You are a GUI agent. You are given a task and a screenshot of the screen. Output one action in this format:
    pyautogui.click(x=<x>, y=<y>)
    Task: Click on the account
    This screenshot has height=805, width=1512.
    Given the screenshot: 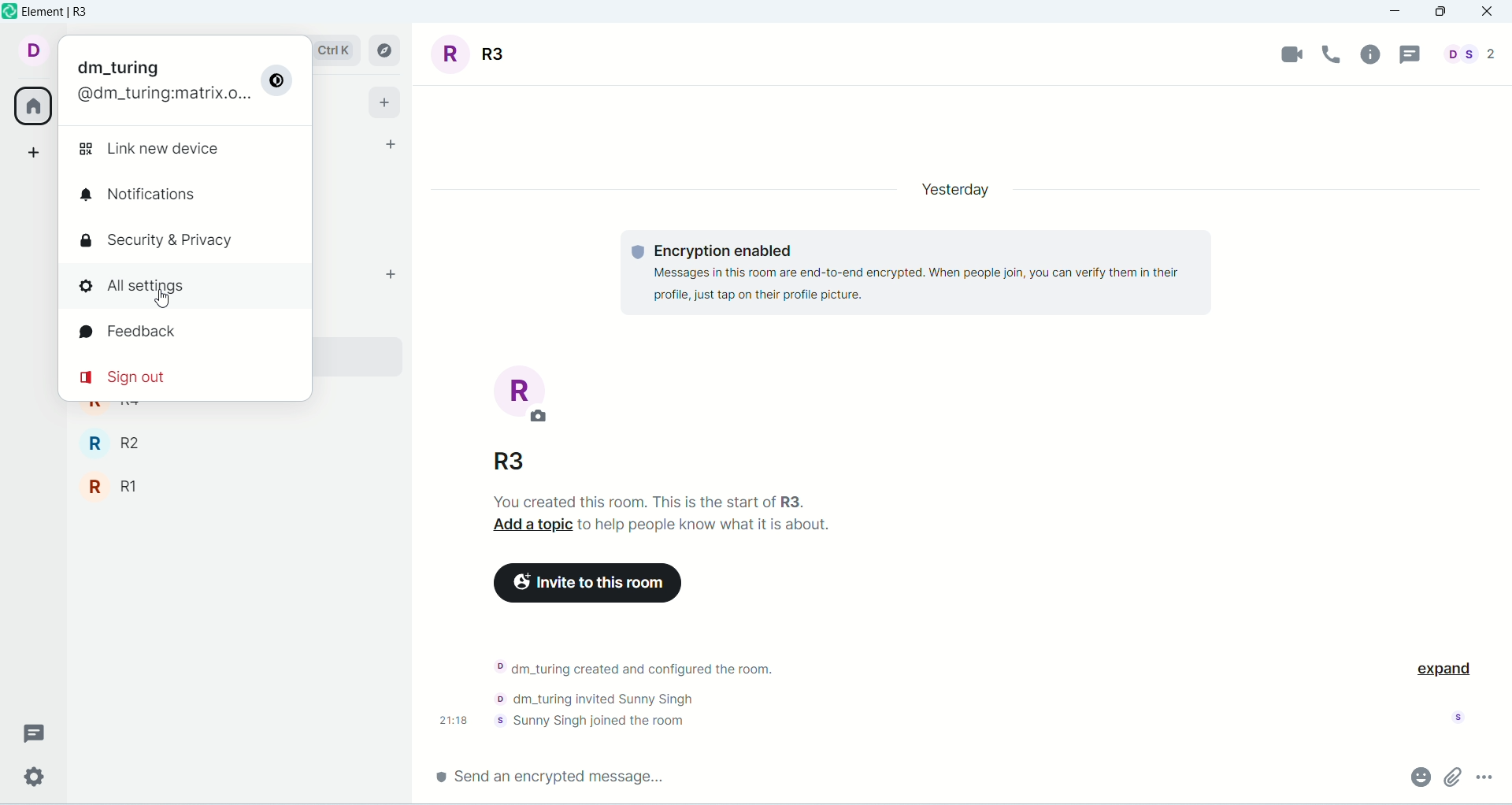 What is the action you would take?
    pyautogui.click(x=155, y=84)
    